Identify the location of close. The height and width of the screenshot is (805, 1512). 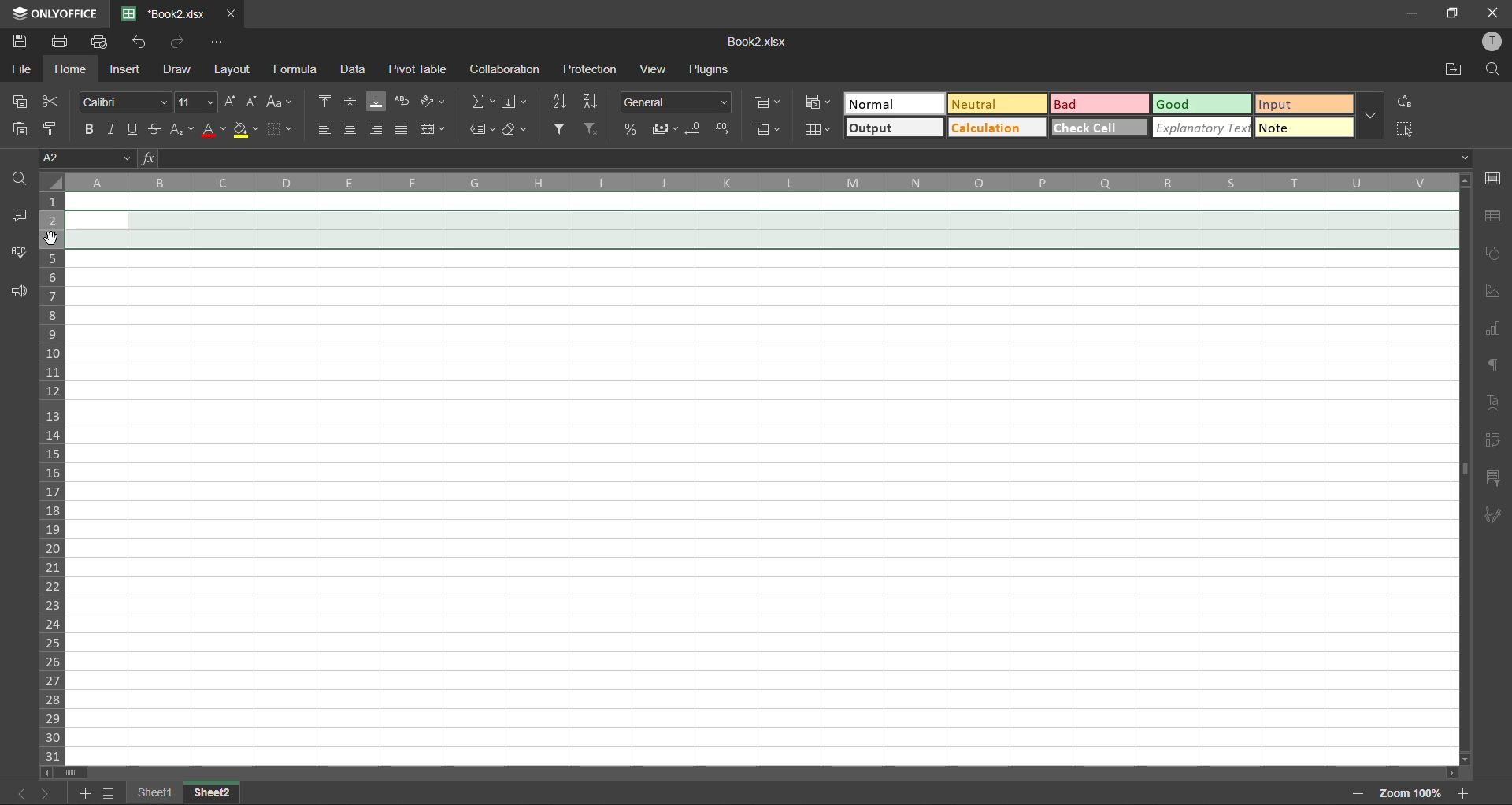
(1493, 13).